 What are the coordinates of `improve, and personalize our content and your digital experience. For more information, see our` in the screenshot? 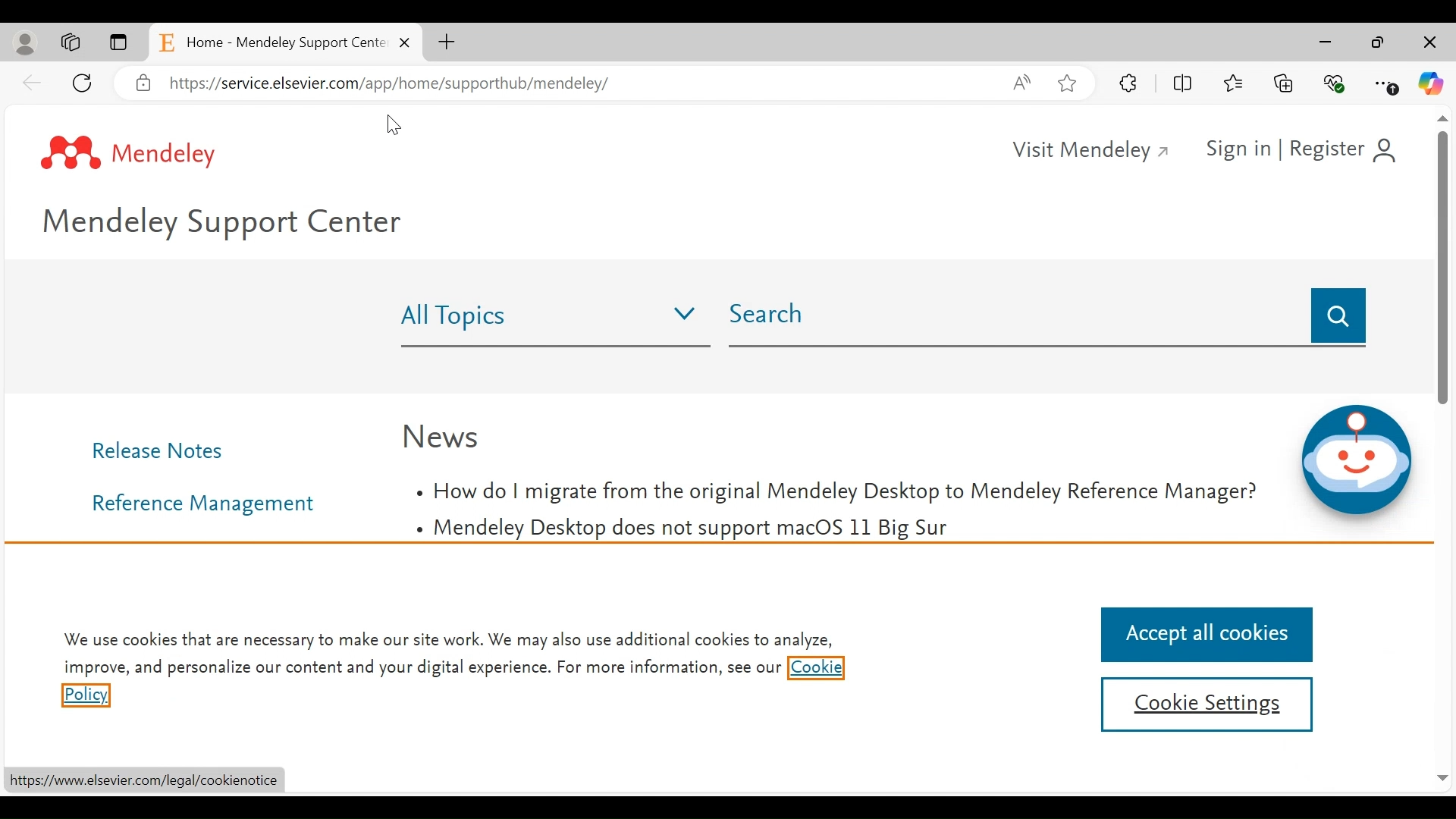 It's located at (421, 669).